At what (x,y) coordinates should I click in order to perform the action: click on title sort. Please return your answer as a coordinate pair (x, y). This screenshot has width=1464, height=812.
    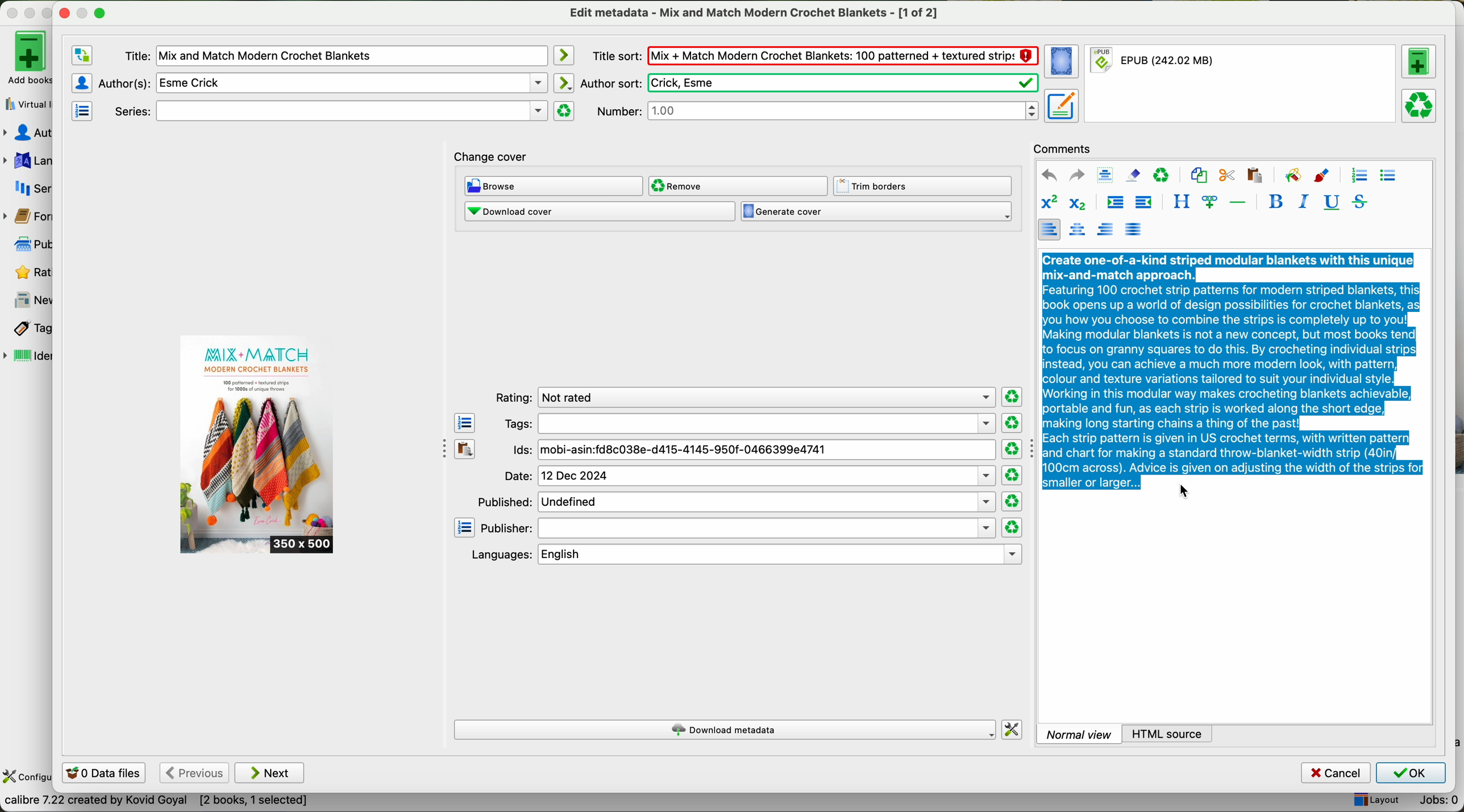
    Looking at the image, I should click on (814, 55).